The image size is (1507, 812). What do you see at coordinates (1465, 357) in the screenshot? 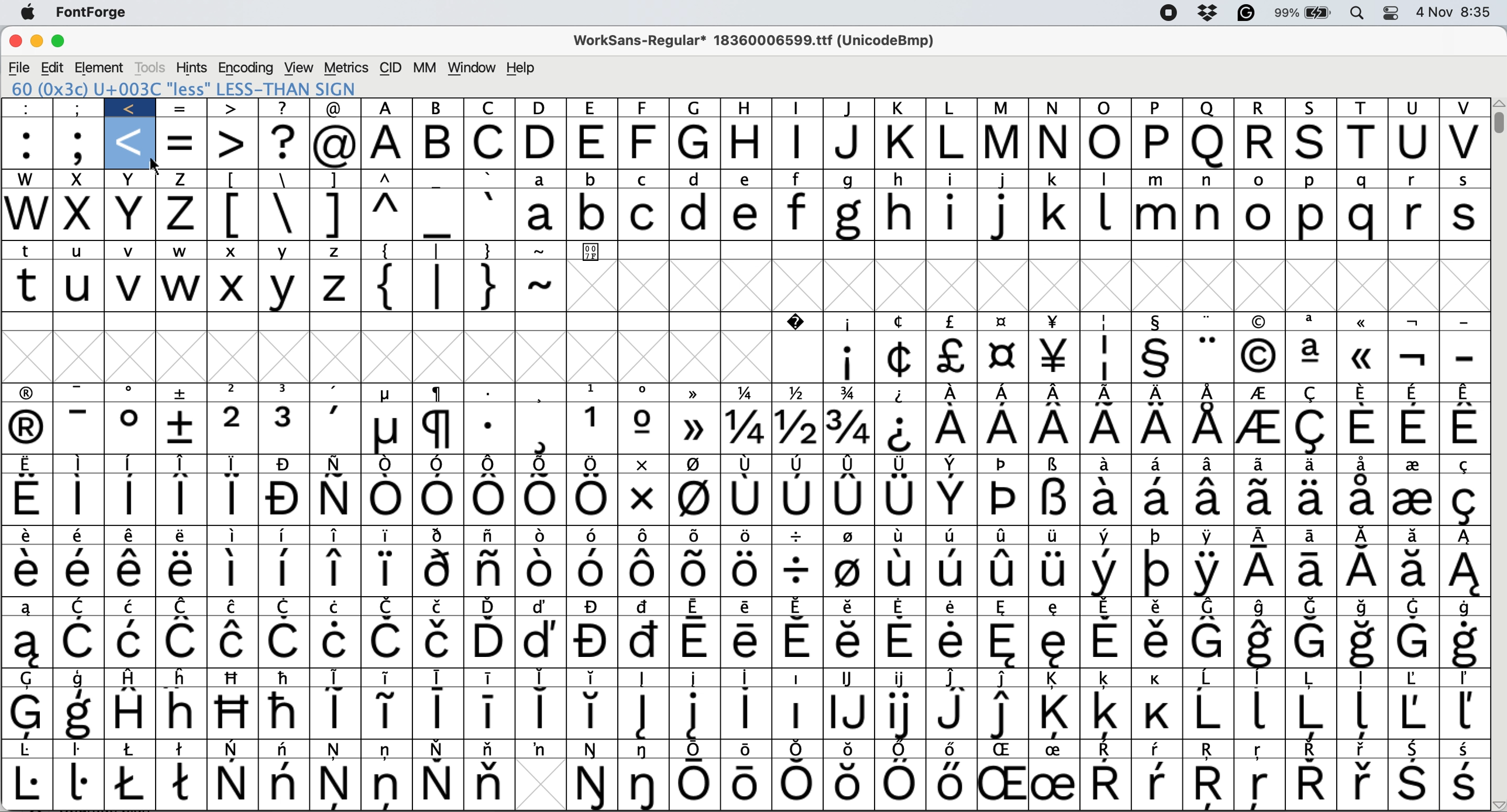
I see `-` at bounding box center [1465, 357].